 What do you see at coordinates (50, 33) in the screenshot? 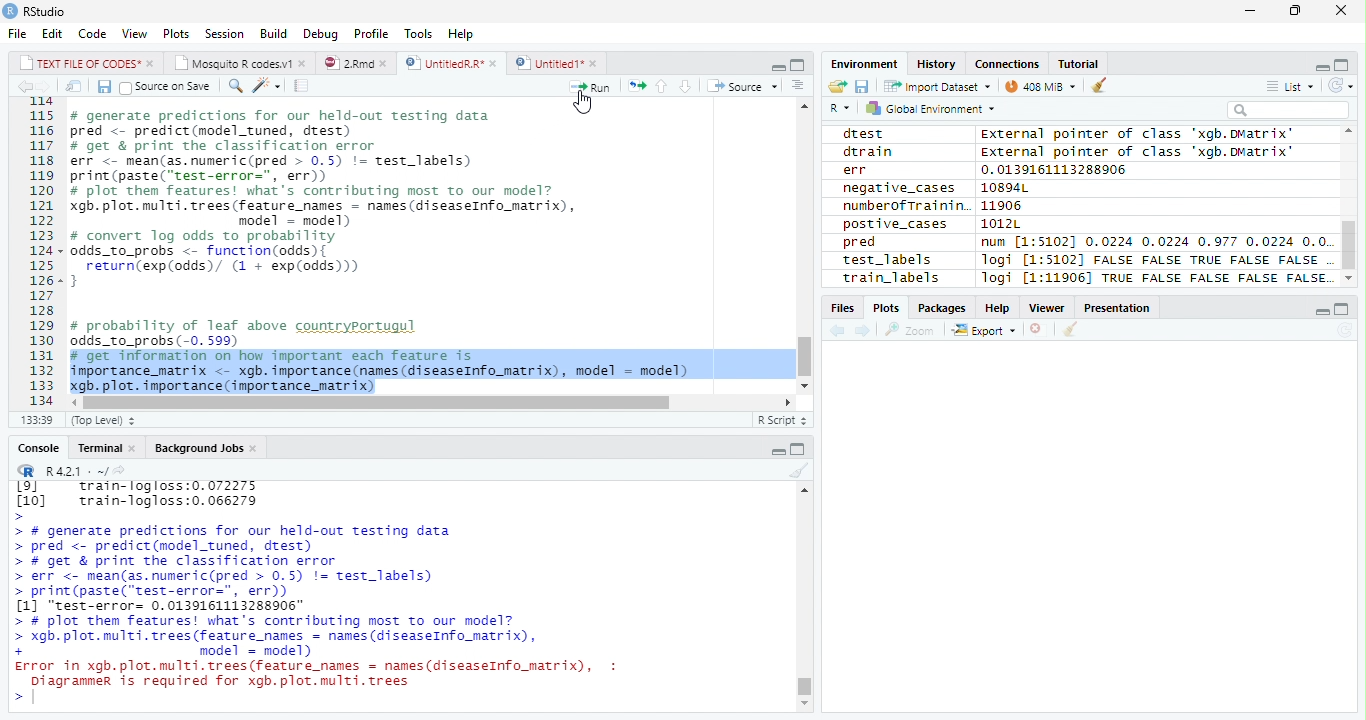
I see `Edit` at bounding box center [50, 33].